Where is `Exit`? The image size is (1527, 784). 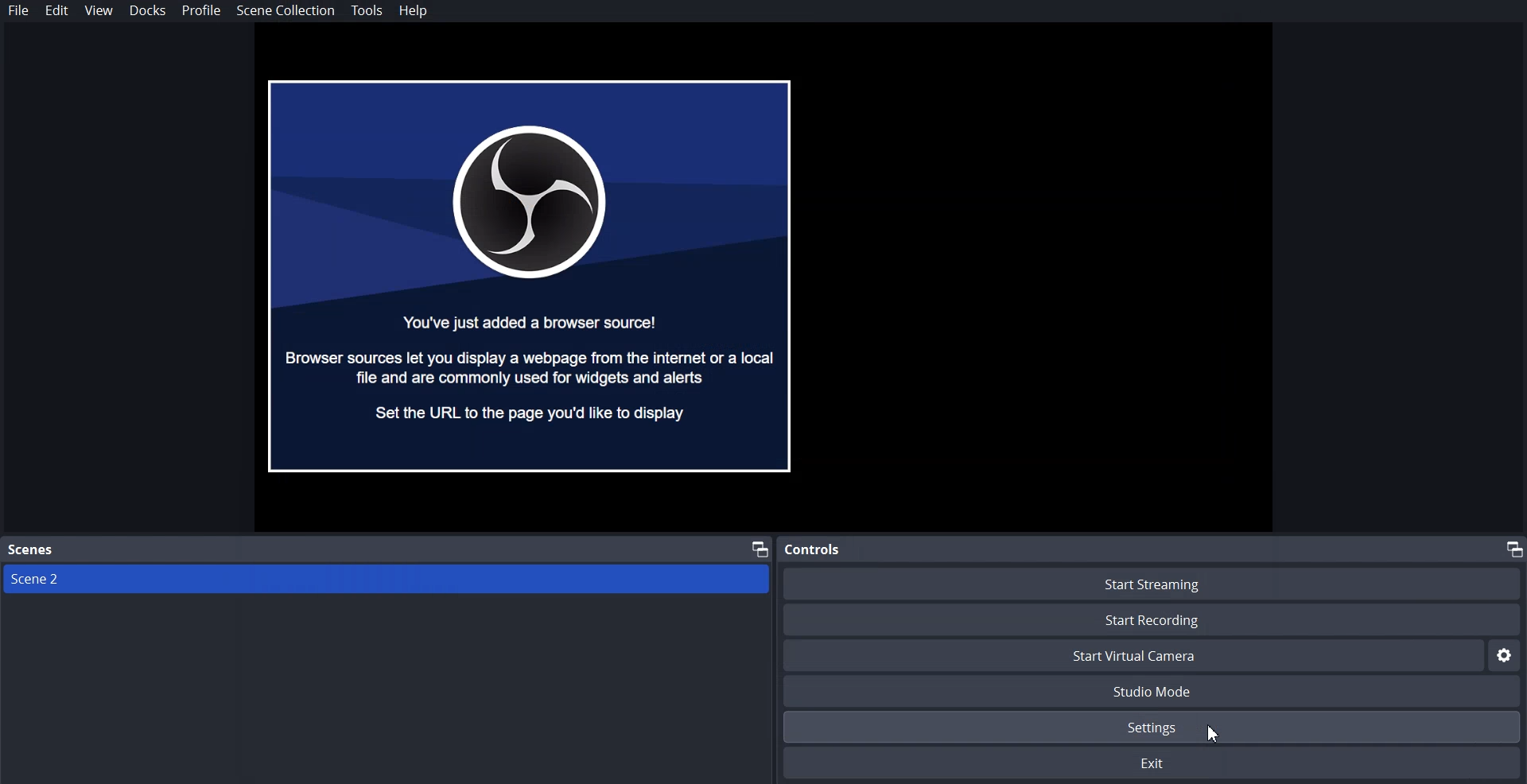 Exit is located at coordinates (1153, 764).